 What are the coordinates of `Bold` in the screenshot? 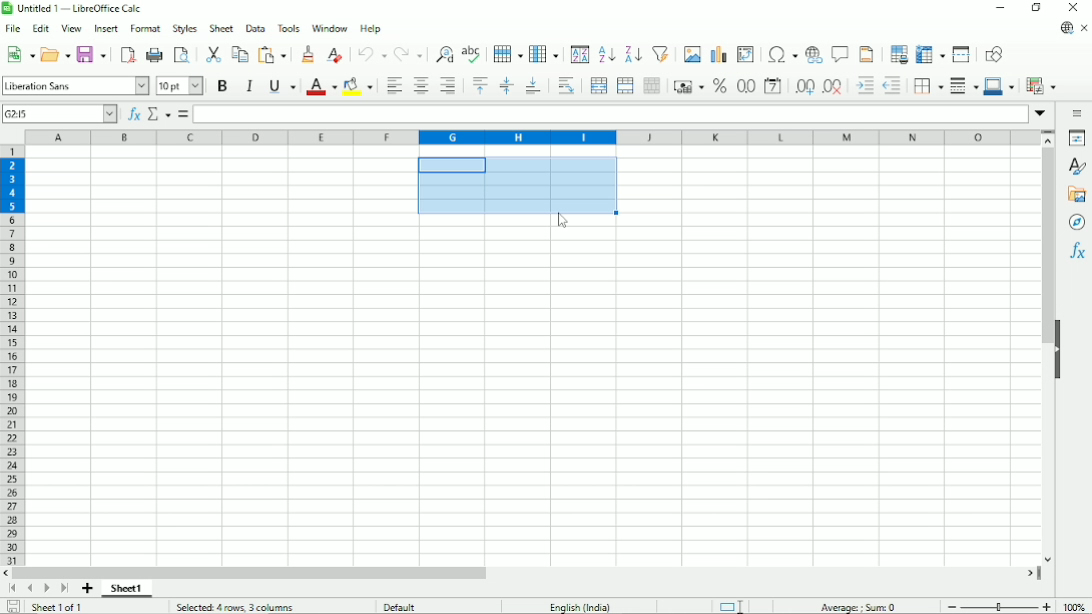 It's located at (221, 87).